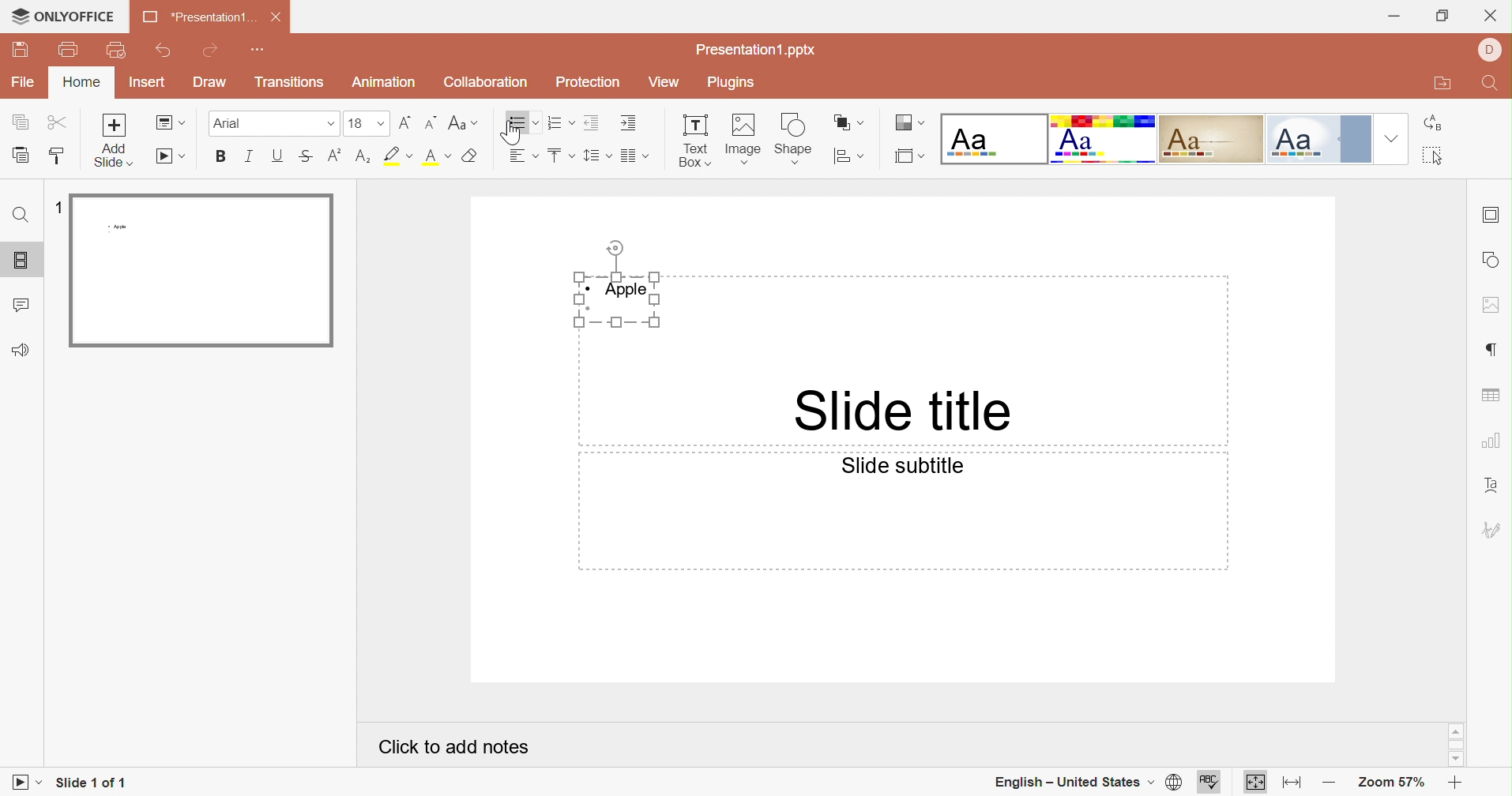 This screenshot has width=1512, height=796. Describe the element at coordinates (851, 157) in the screenshot. I see `Align shape` at that location.